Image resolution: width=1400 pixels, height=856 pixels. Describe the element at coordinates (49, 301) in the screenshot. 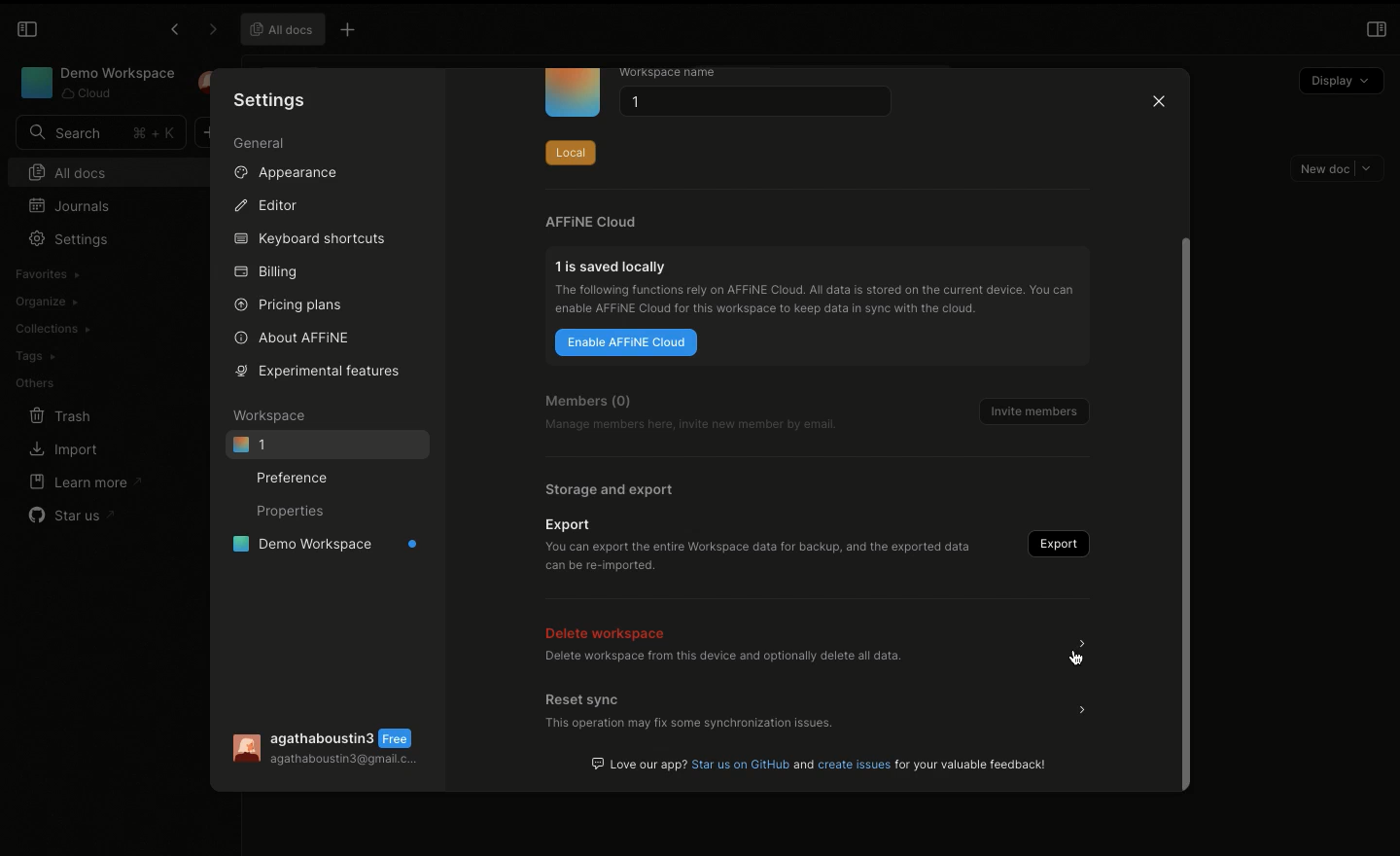

I see `Organize` at that location.